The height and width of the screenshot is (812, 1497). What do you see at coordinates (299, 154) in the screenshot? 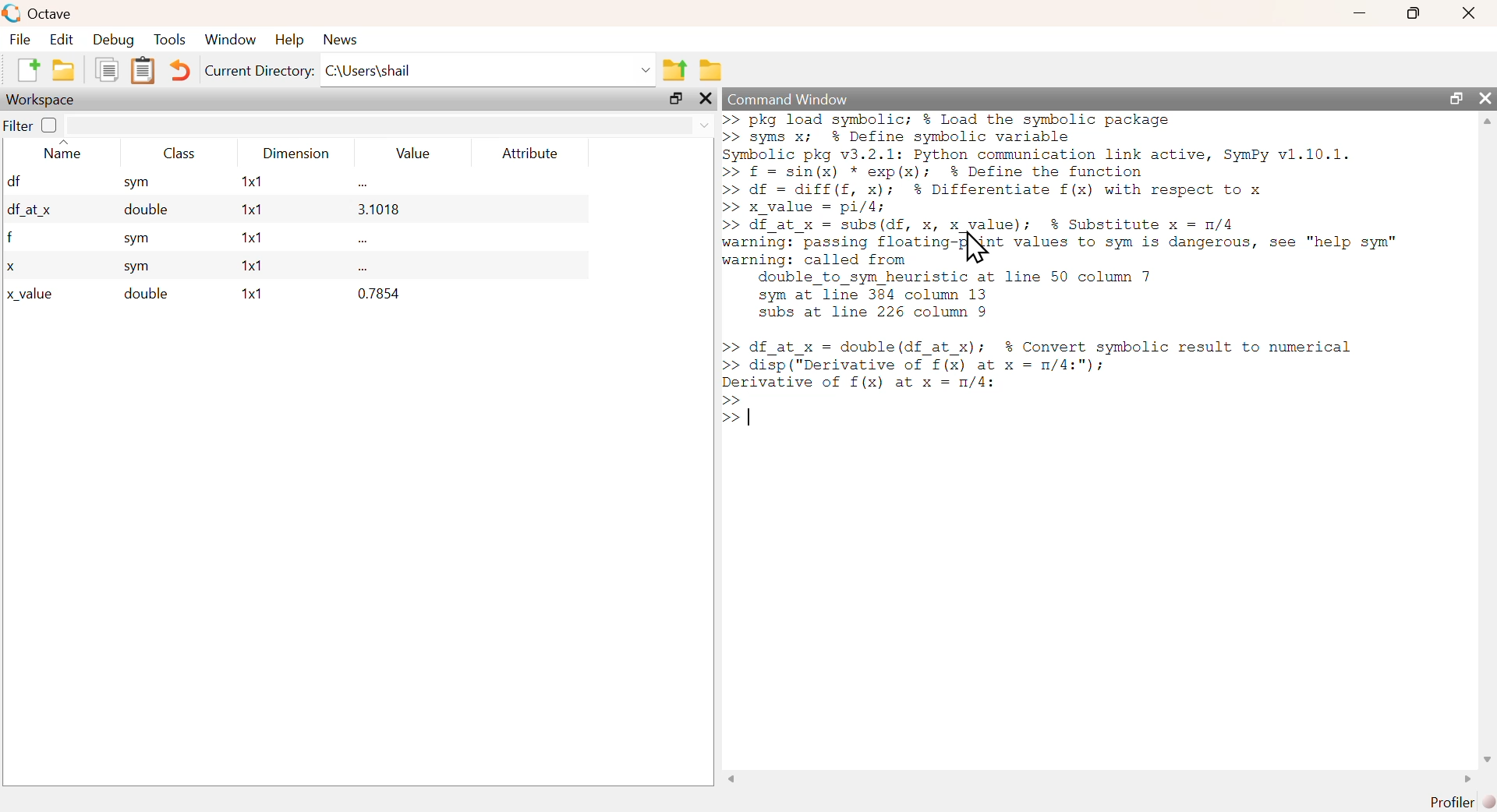
I see `Dimension` at bounding box center [299, 154].